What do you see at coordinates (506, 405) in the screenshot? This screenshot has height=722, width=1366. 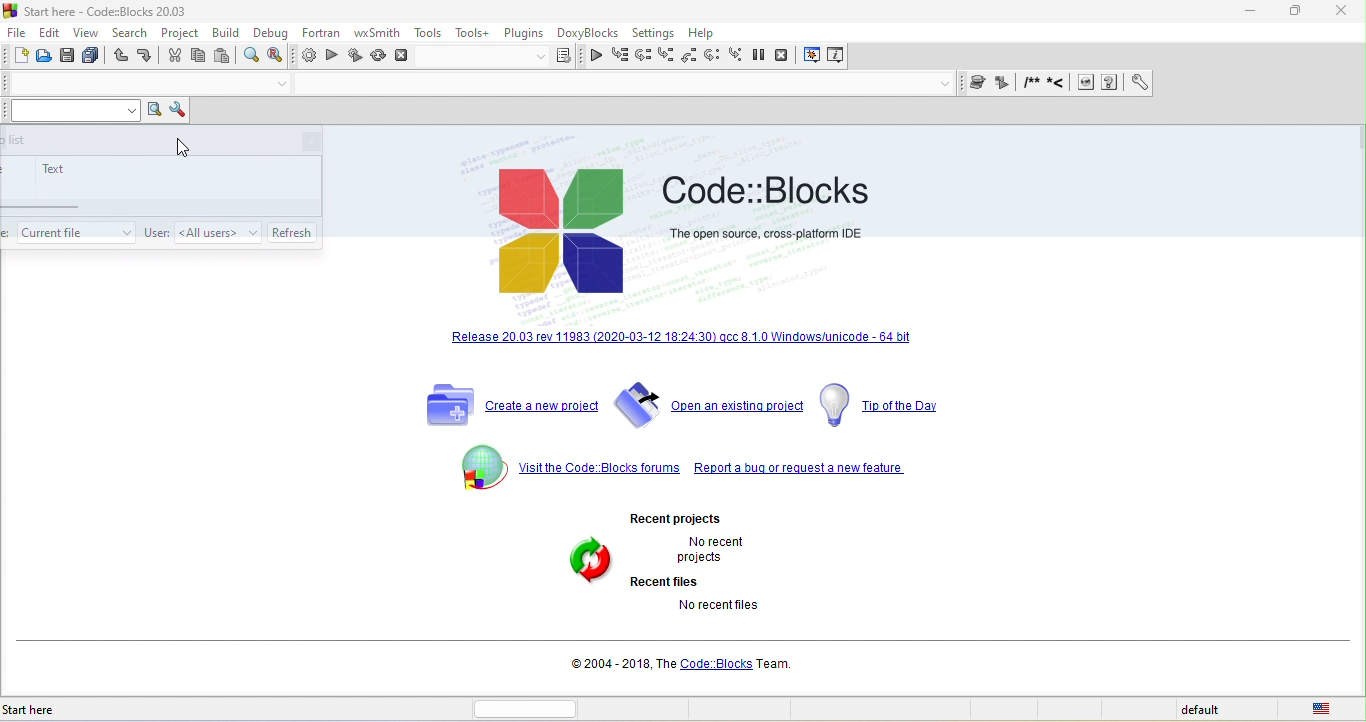 I see `create a new project` at bounding box center [506, 405].